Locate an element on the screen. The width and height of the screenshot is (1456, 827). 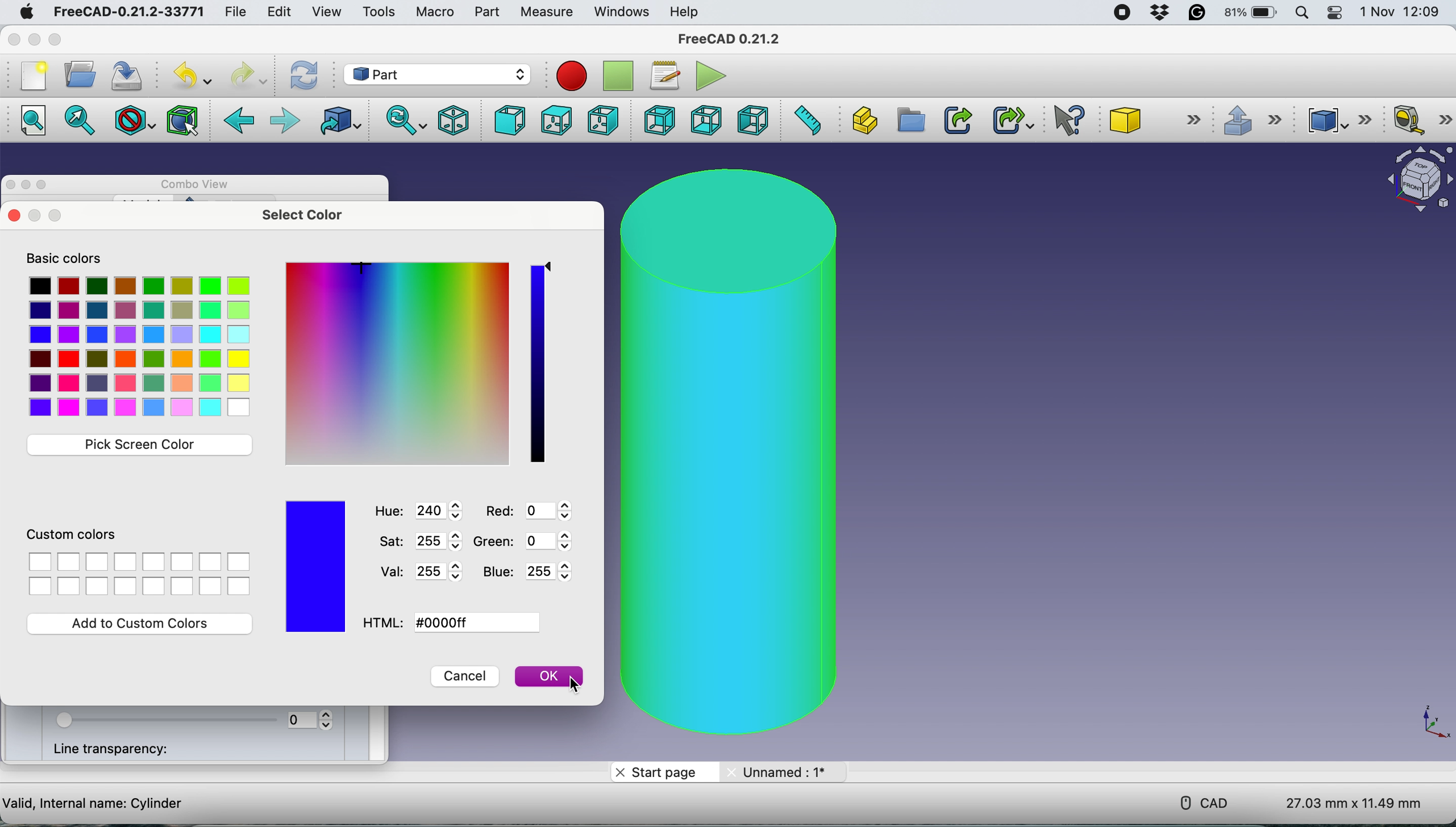
refresh is located at coordinates (304, 74).